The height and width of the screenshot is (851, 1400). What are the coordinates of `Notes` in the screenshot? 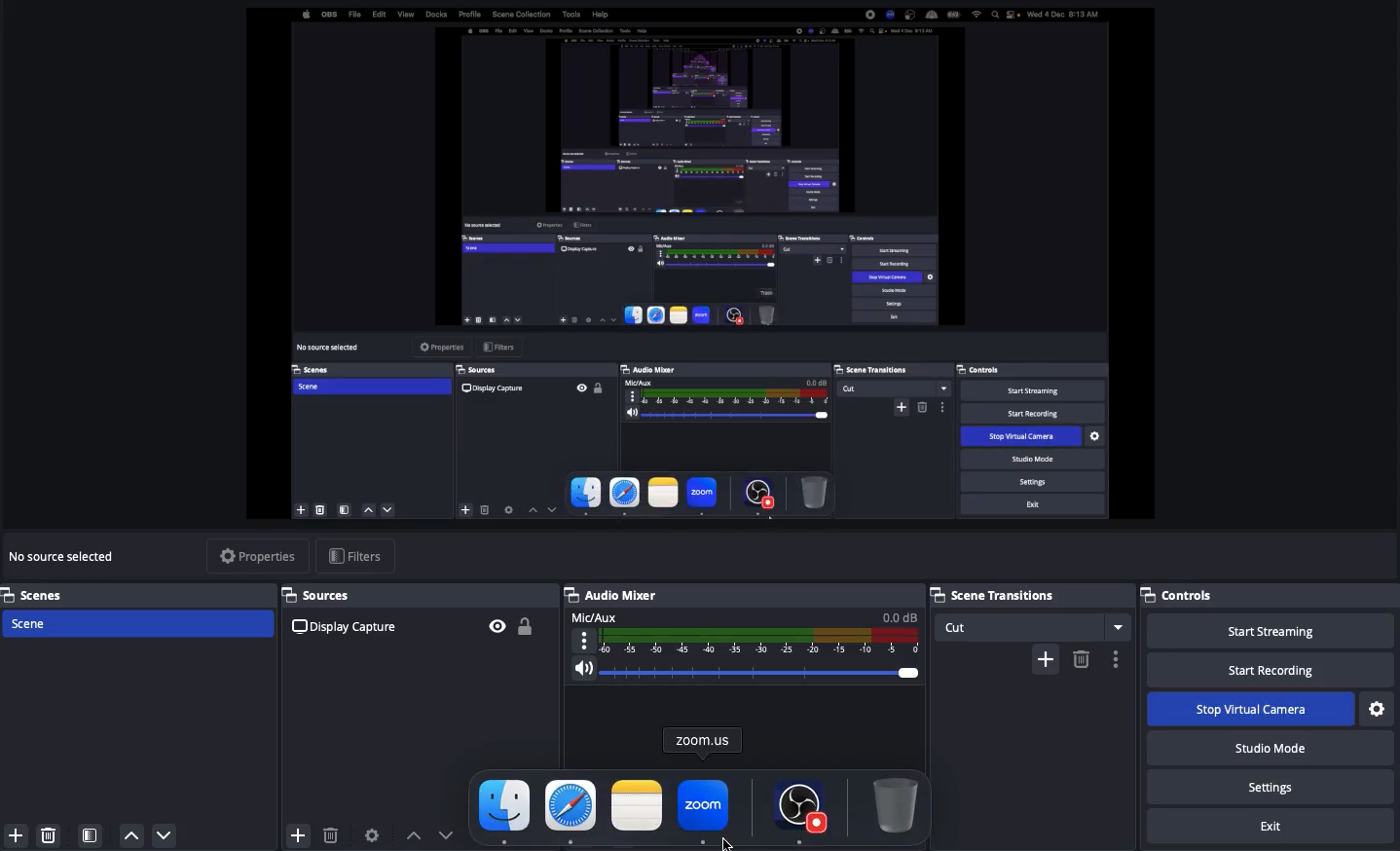 It's located at (635, 804).